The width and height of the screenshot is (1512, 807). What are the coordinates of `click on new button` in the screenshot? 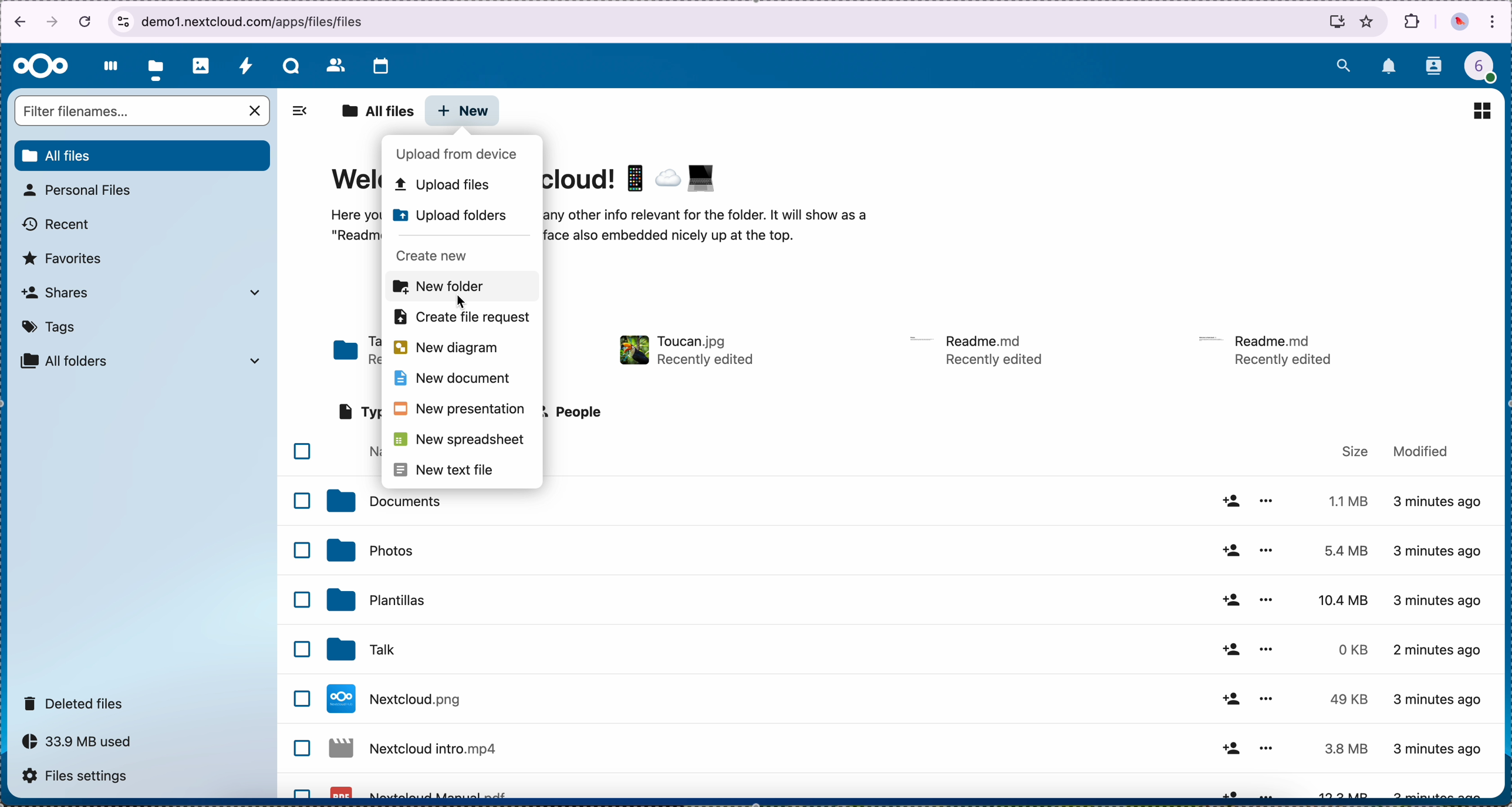 It's located at (463, 112).